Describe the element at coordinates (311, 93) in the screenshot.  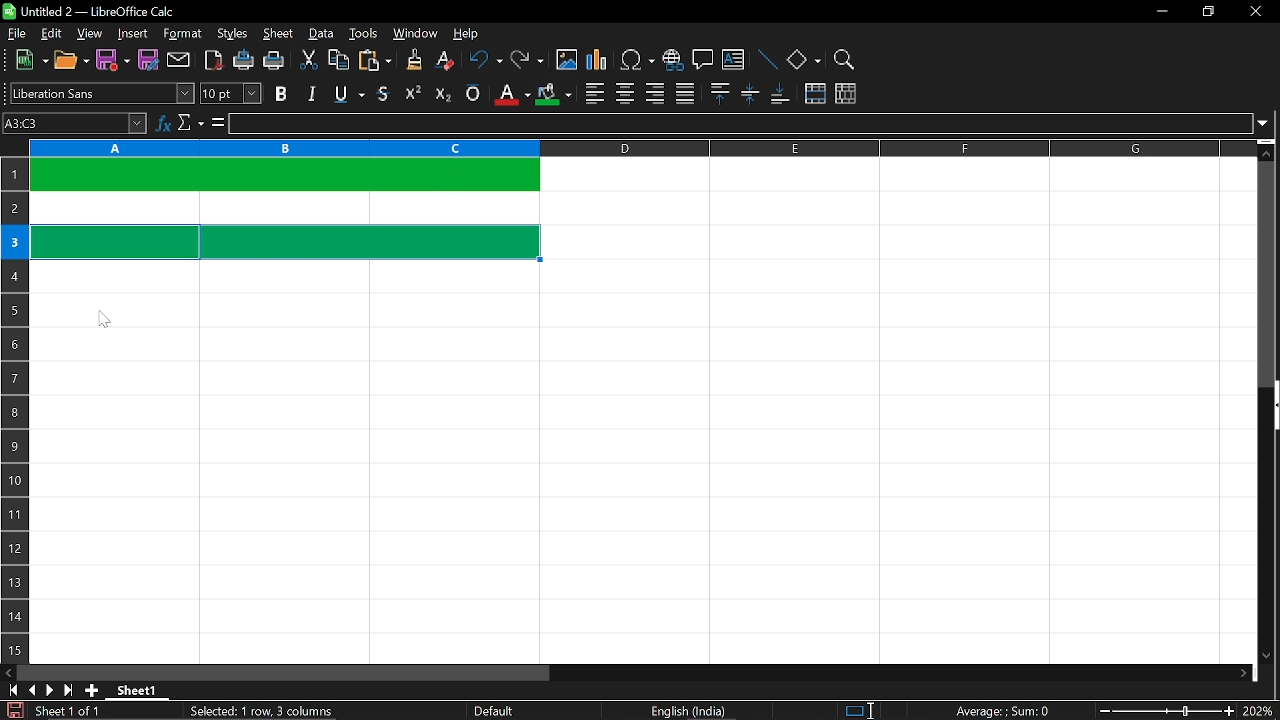
I see `italic` at that location.